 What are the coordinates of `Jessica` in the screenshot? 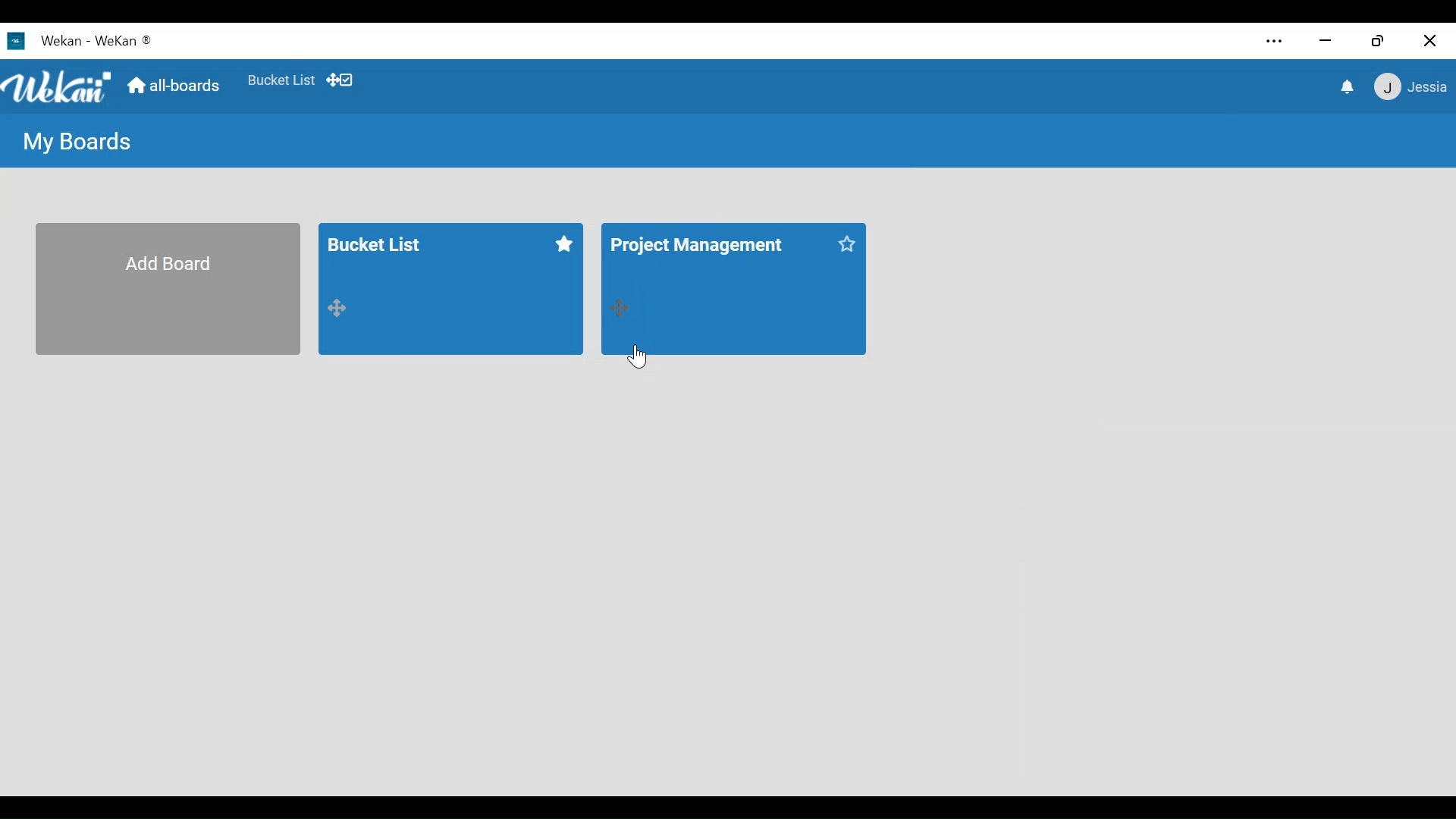 It's located at (1408, 89).